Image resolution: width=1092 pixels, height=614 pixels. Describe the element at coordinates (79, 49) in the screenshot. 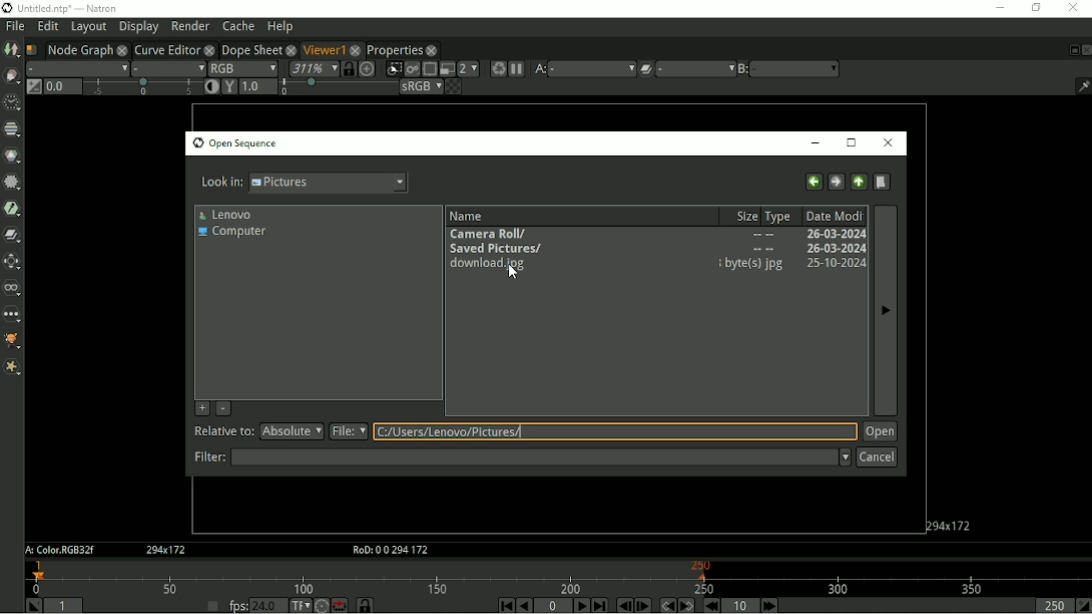

I see `Node Graph` at that location.